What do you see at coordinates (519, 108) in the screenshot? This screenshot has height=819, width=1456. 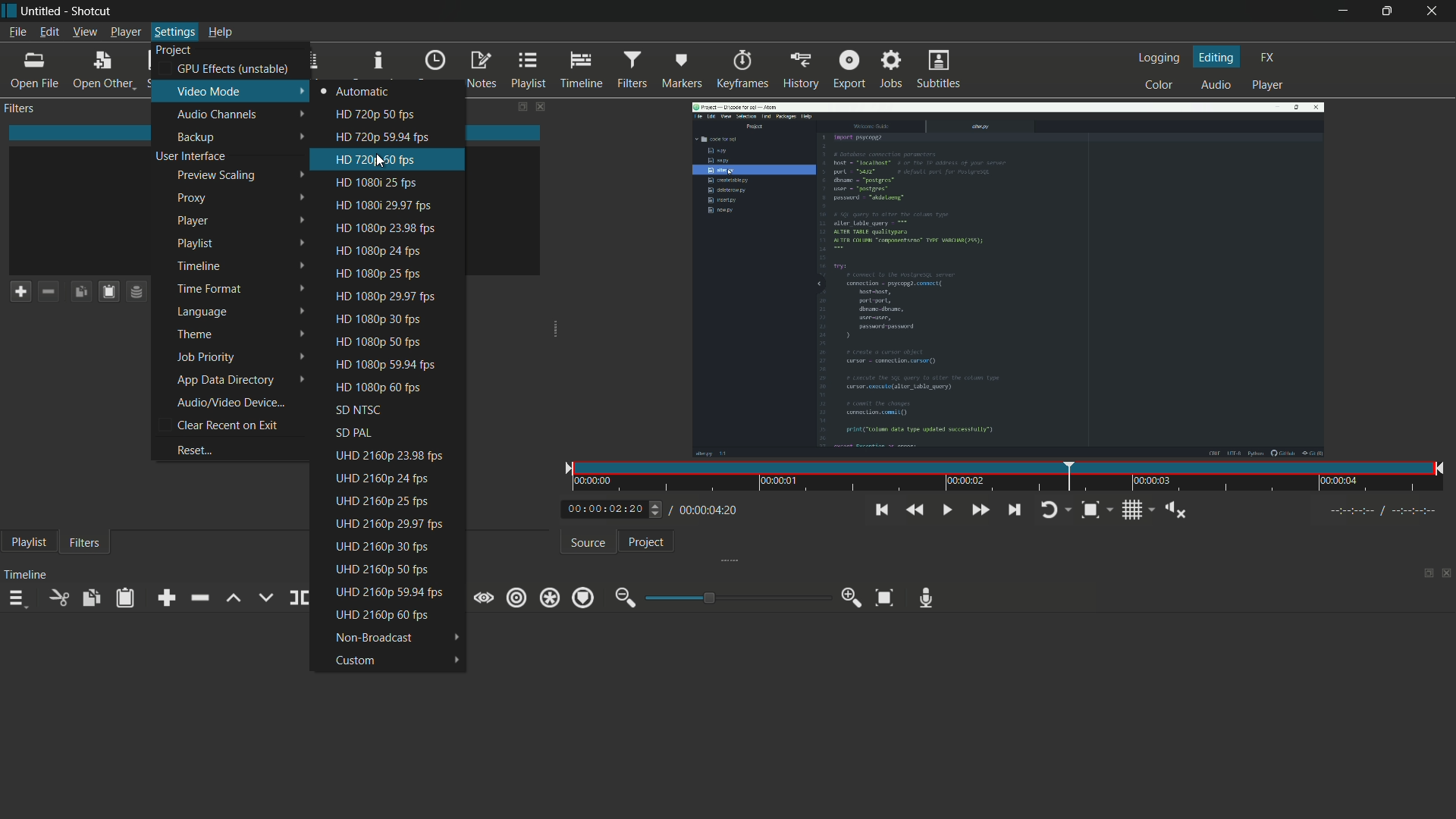 I see `change layout` at bounding box center [519, 108].